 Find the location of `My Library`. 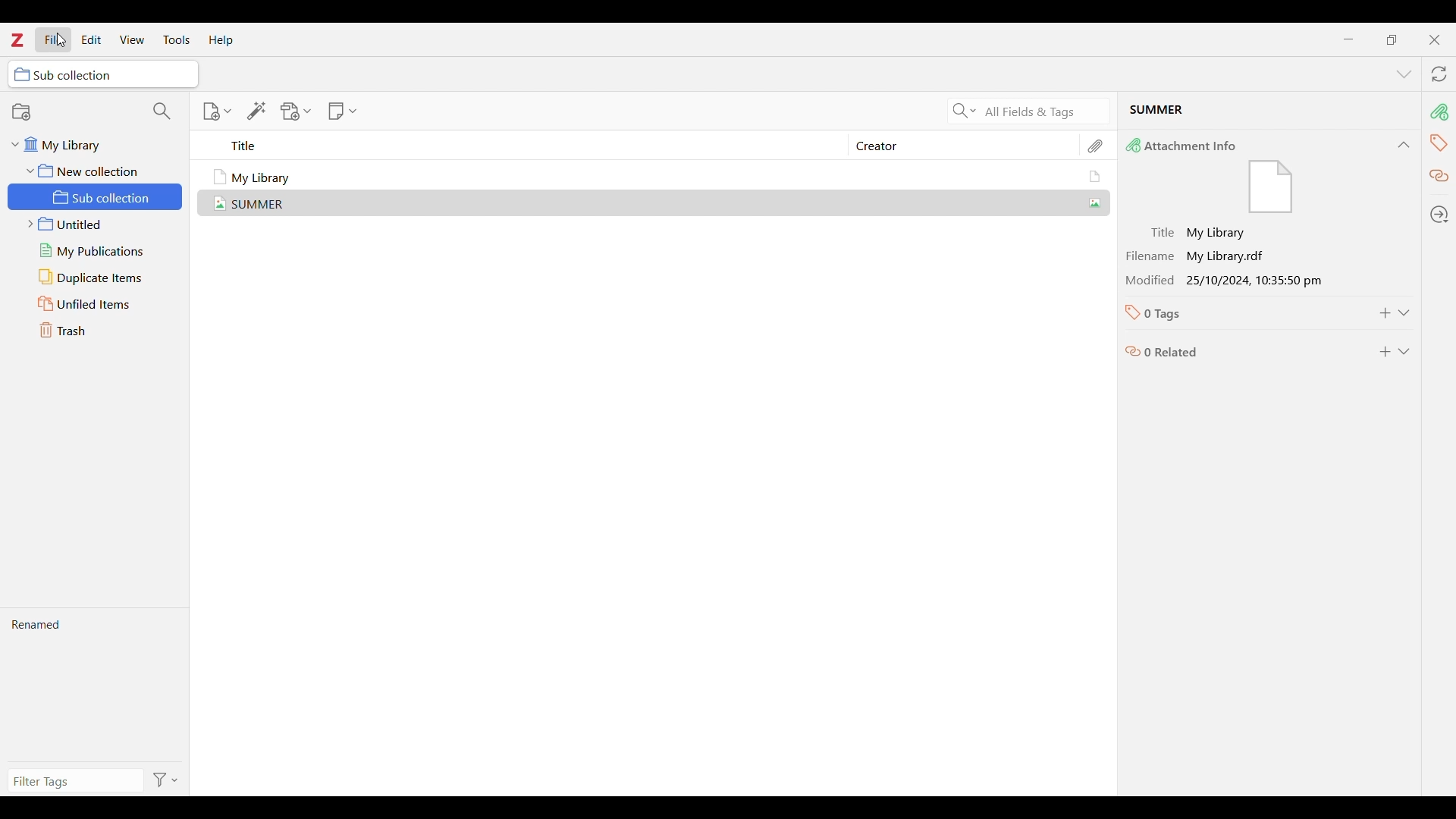

My Library is located at coordinates (659, 177).